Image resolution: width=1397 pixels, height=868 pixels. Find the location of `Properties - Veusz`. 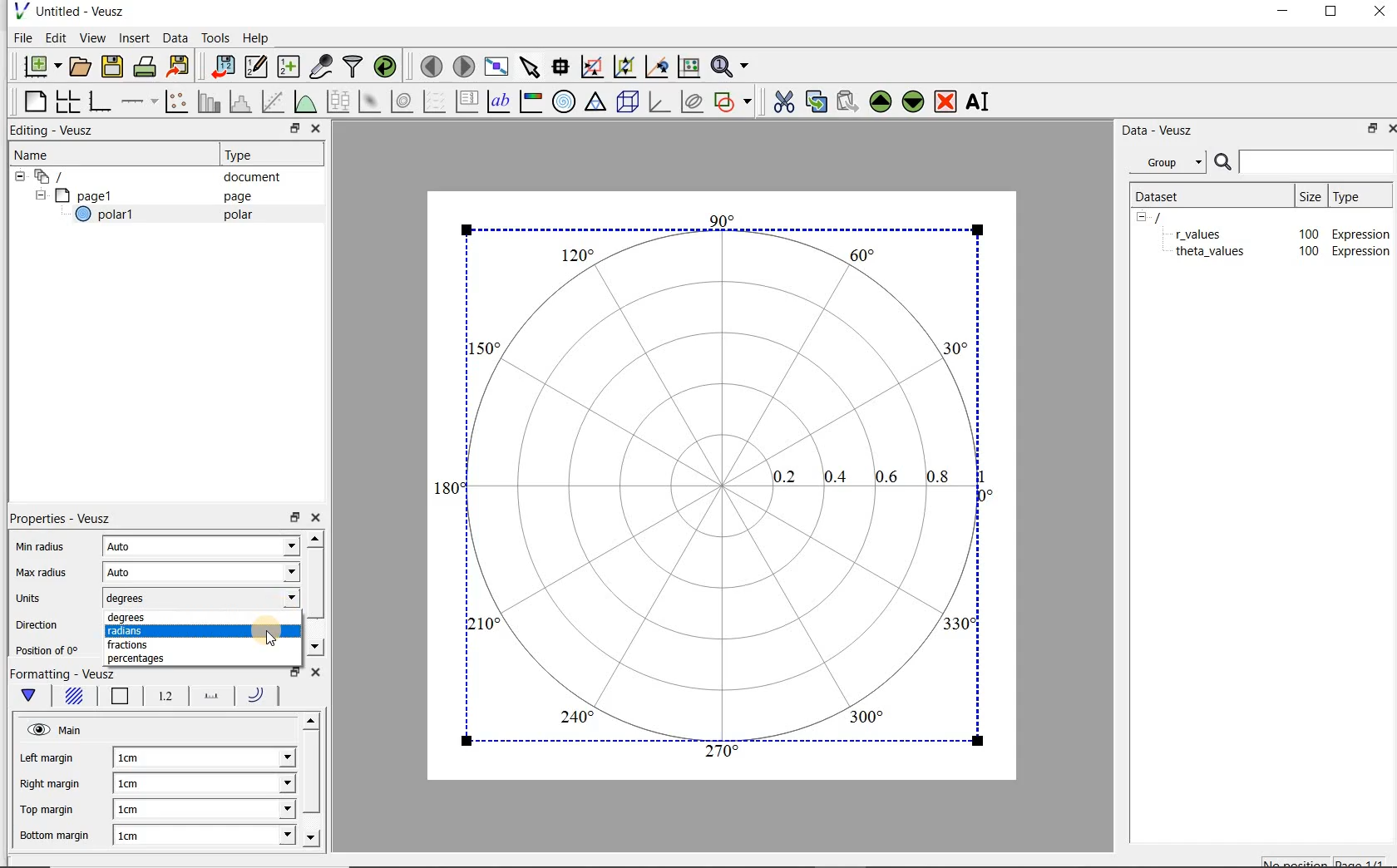

Properties - Veusz is located at coordinates (63, 519).